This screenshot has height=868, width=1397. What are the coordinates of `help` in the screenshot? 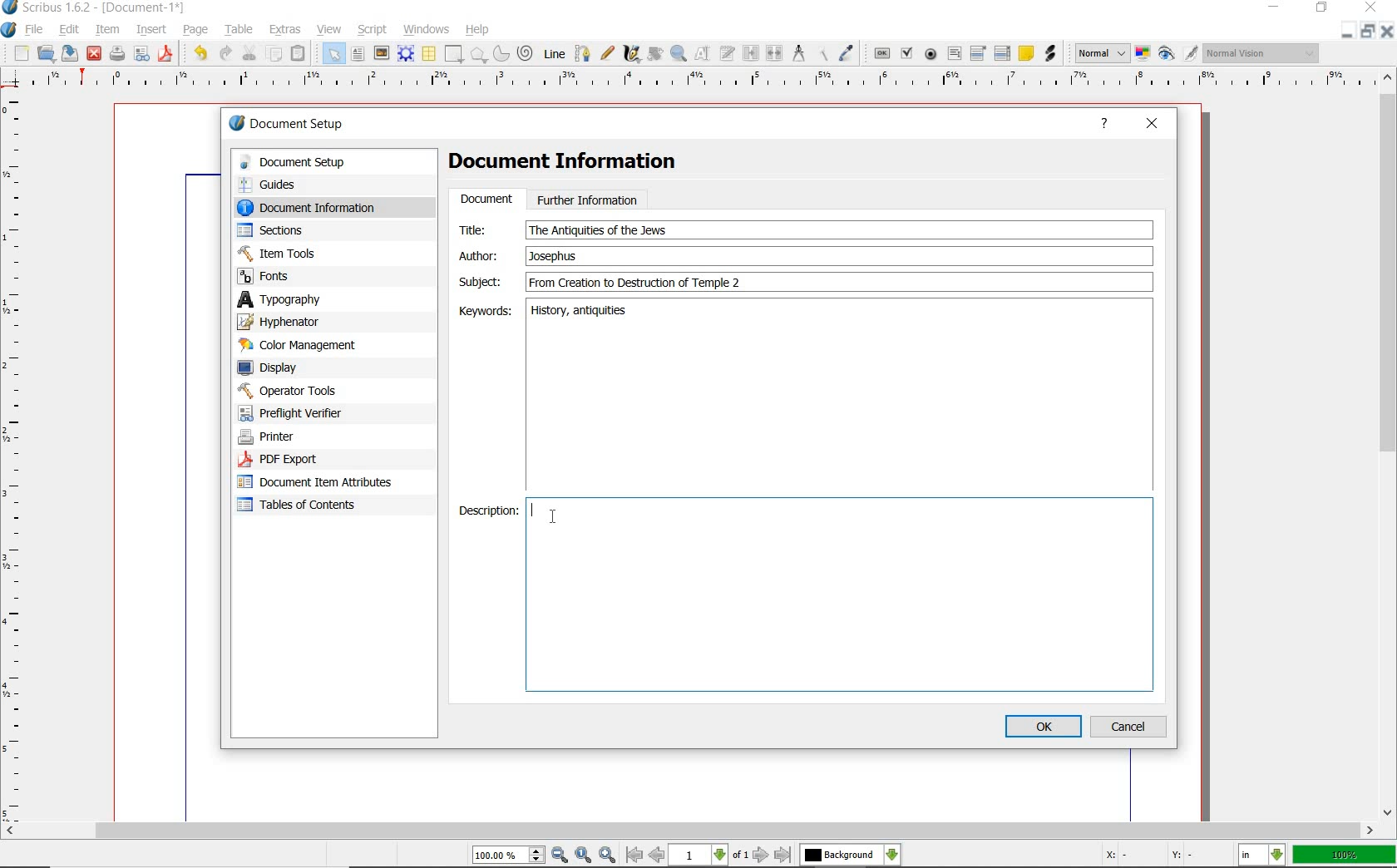 It's located at (1104, 126).